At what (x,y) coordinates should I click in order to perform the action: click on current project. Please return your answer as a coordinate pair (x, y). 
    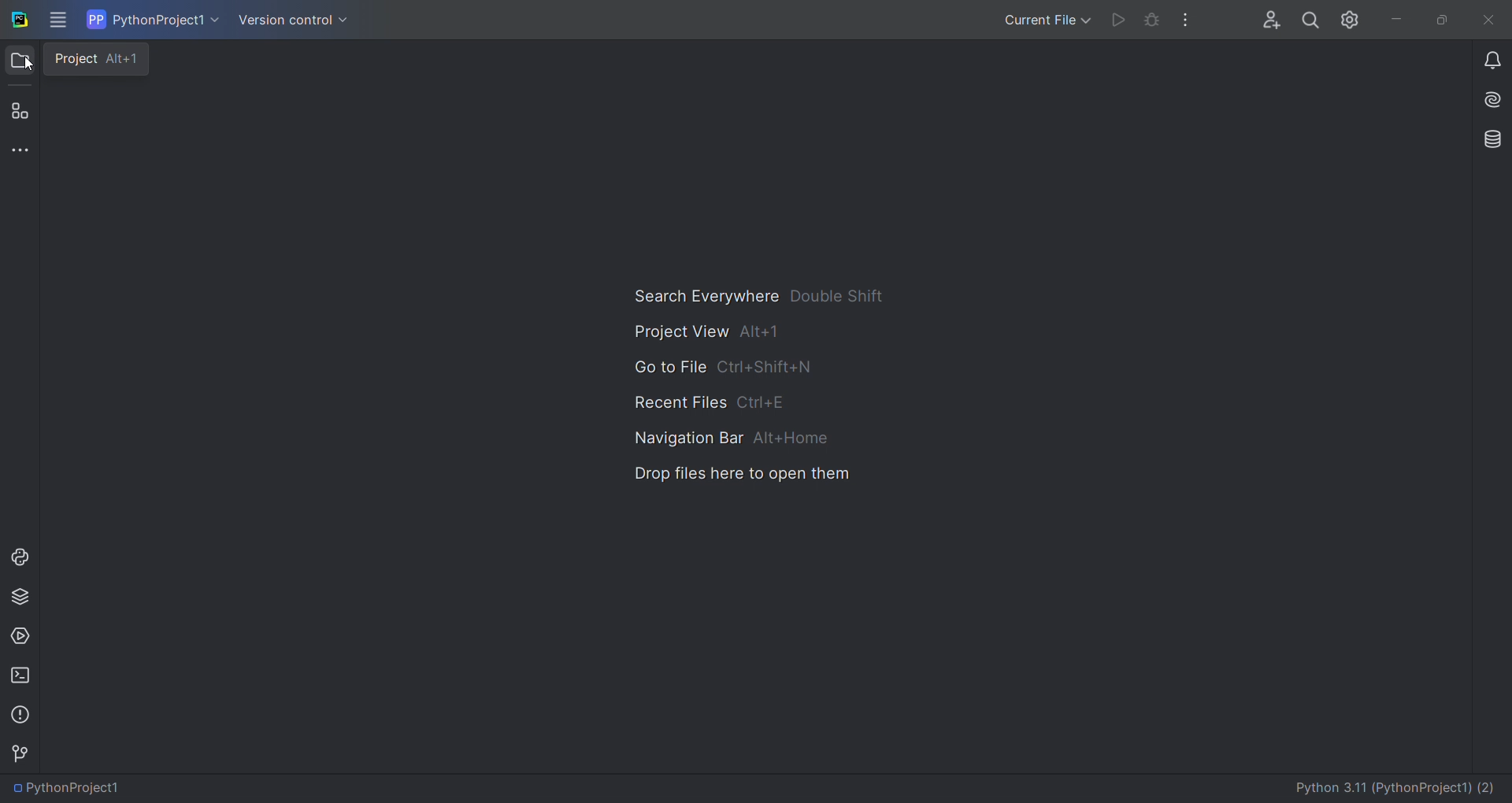
    Looking at the image, I should click on (155, 20).